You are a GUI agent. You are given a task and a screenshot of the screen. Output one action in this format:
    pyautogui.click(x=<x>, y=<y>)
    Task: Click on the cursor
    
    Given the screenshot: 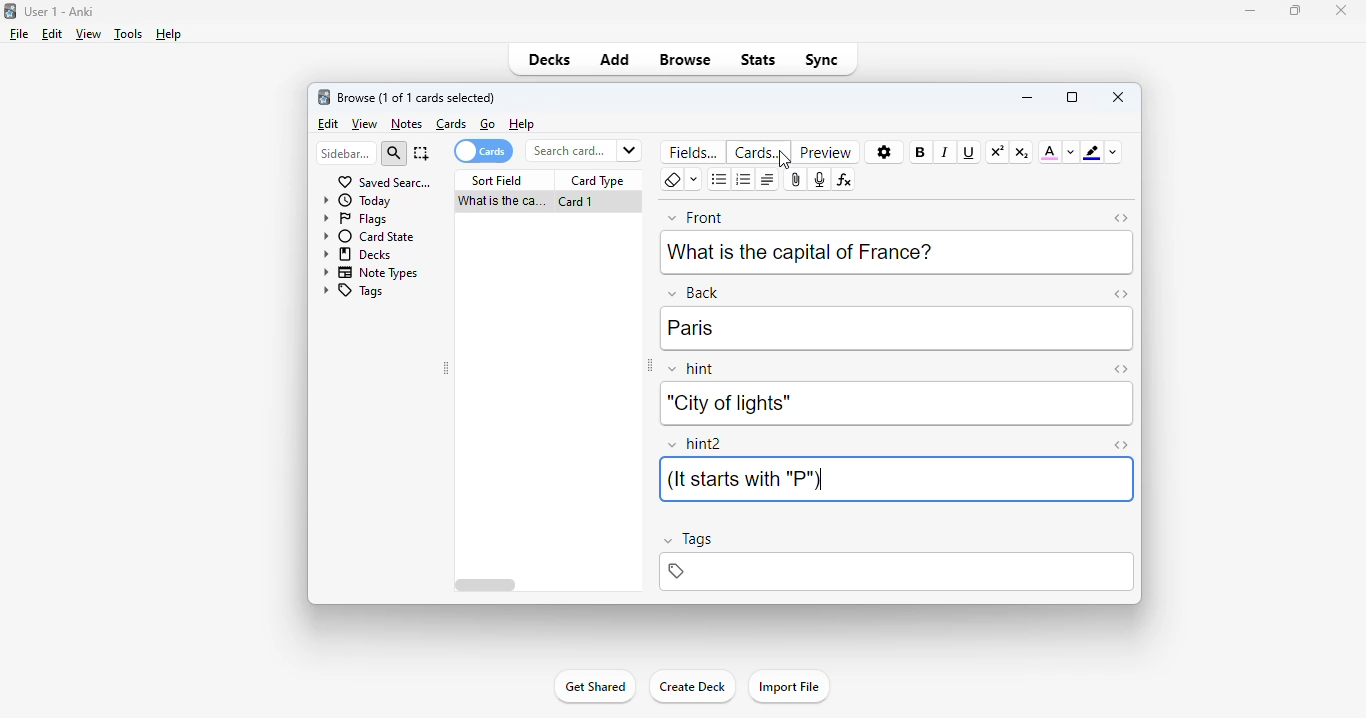 What is the action you would take?
    pyautogui.click(x=785, y=161)
    